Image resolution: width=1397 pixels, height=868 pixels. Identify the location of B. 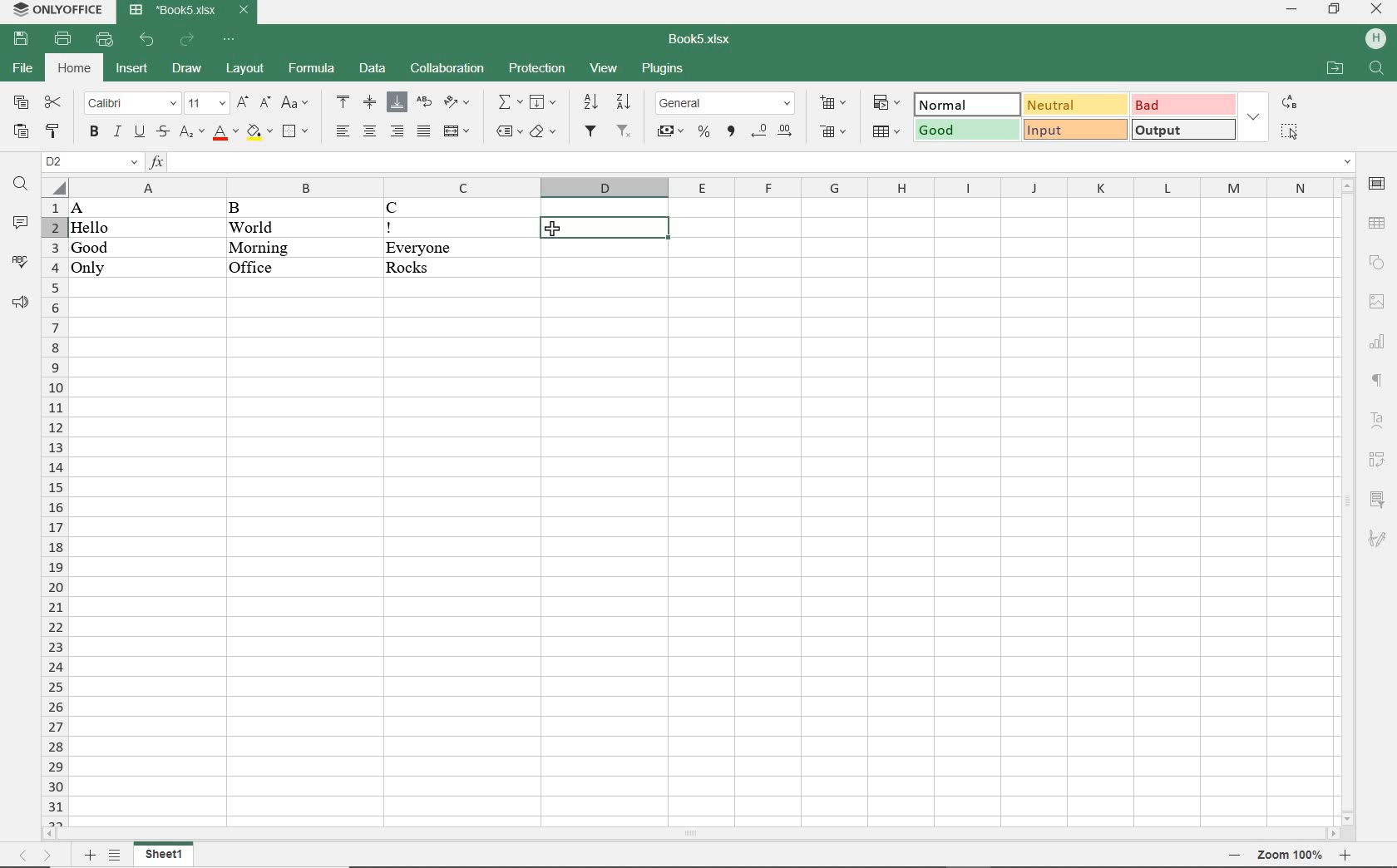
(250, 209).